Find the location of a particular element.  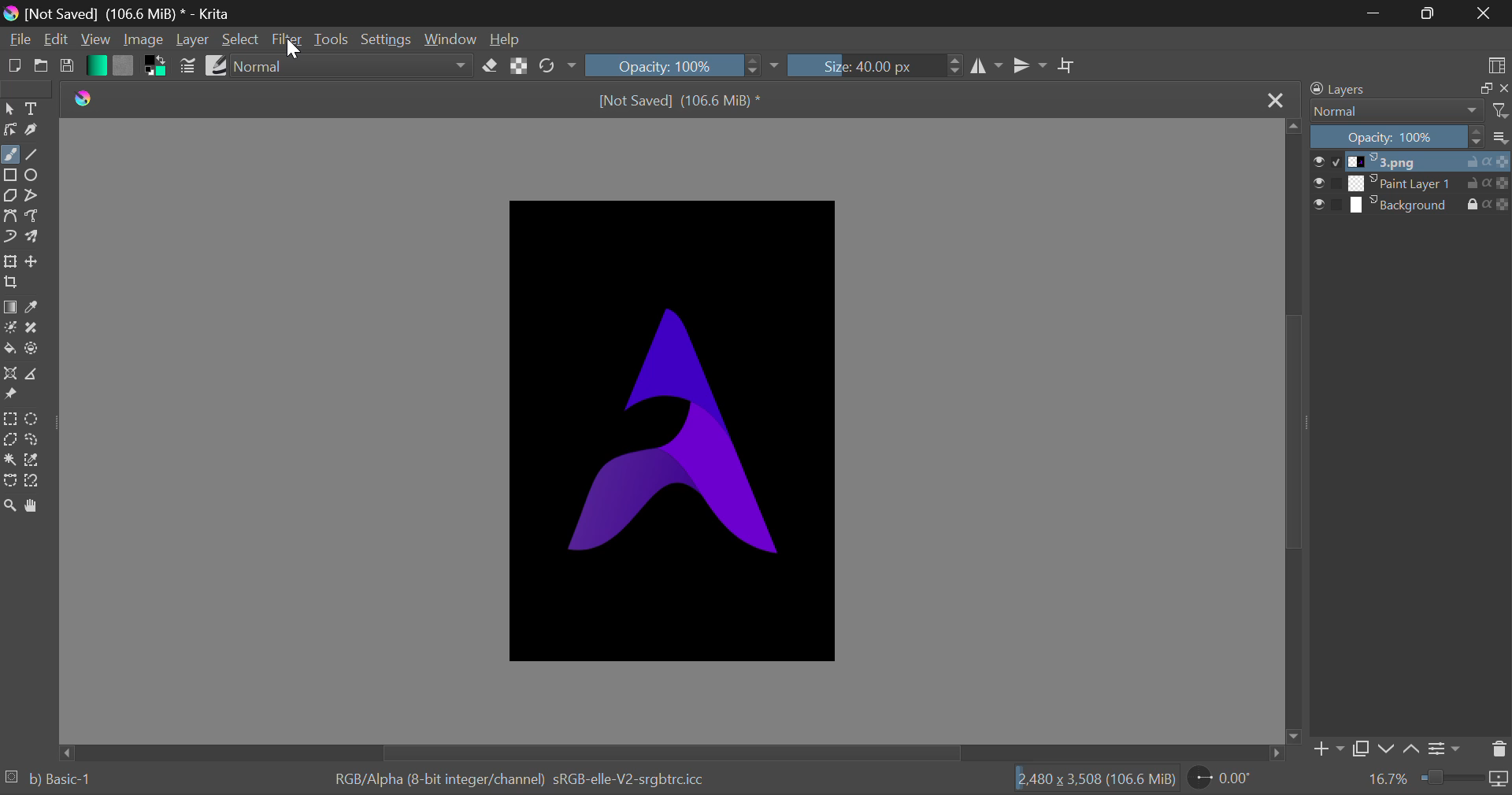

Tools is located at coordinates (332, 41).